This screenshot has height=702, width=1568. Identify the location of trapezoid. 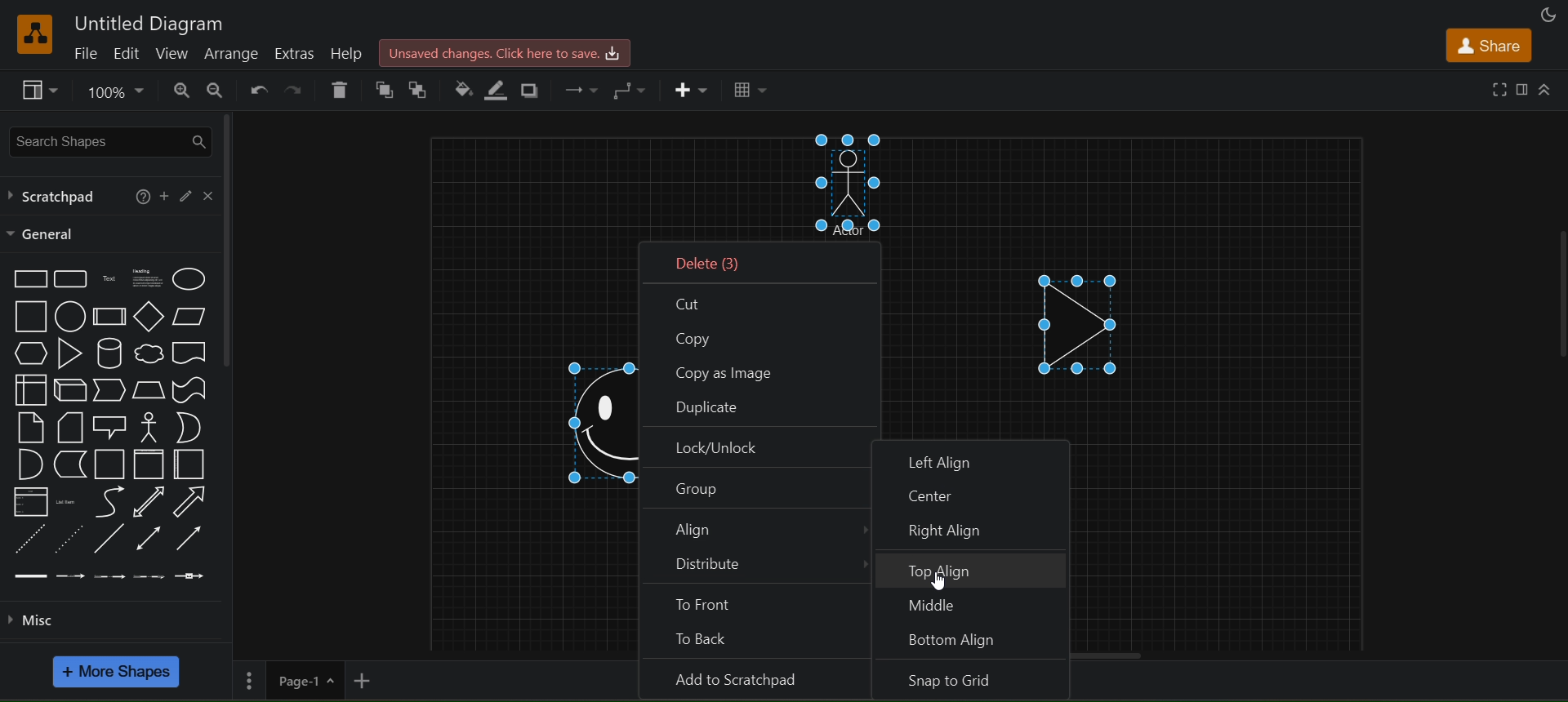
(148, 389).